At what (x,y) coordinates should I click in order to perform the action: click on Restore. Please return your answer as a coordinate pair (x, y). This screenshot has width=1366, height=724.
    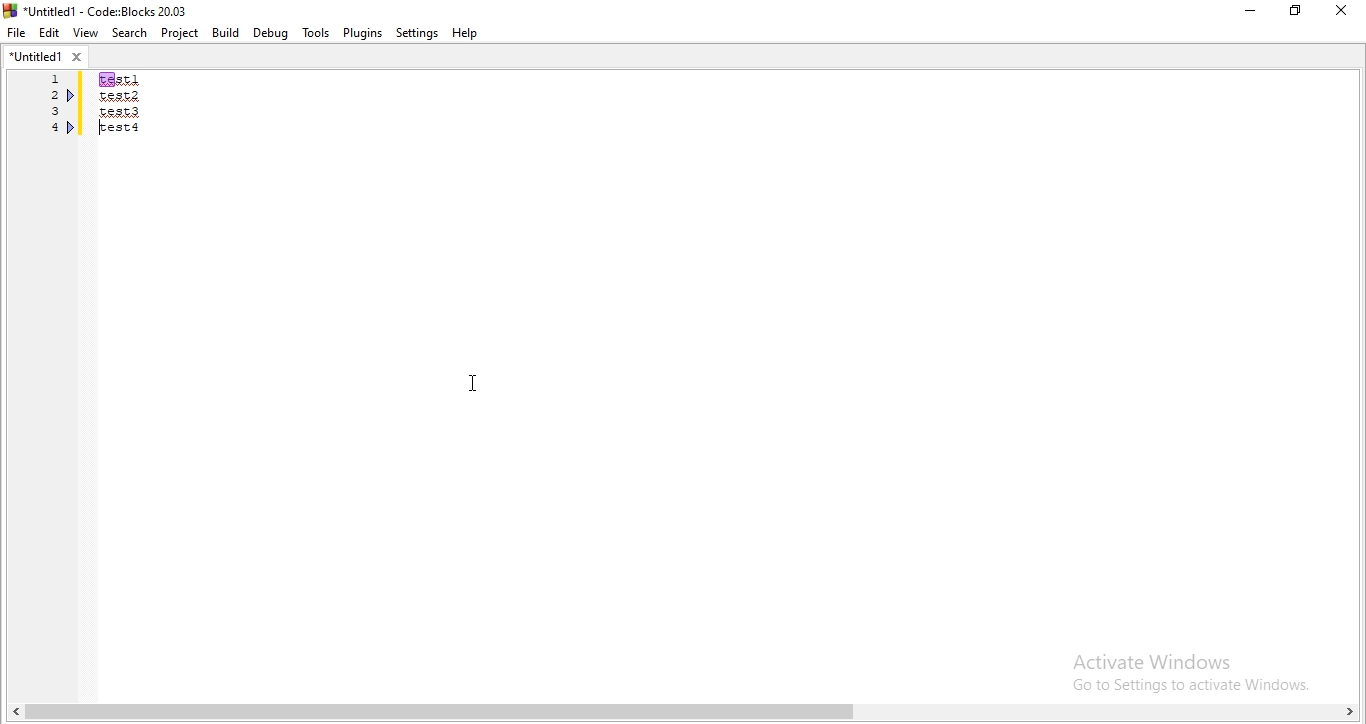
    Looking at the image, I should click on (1294, 13).